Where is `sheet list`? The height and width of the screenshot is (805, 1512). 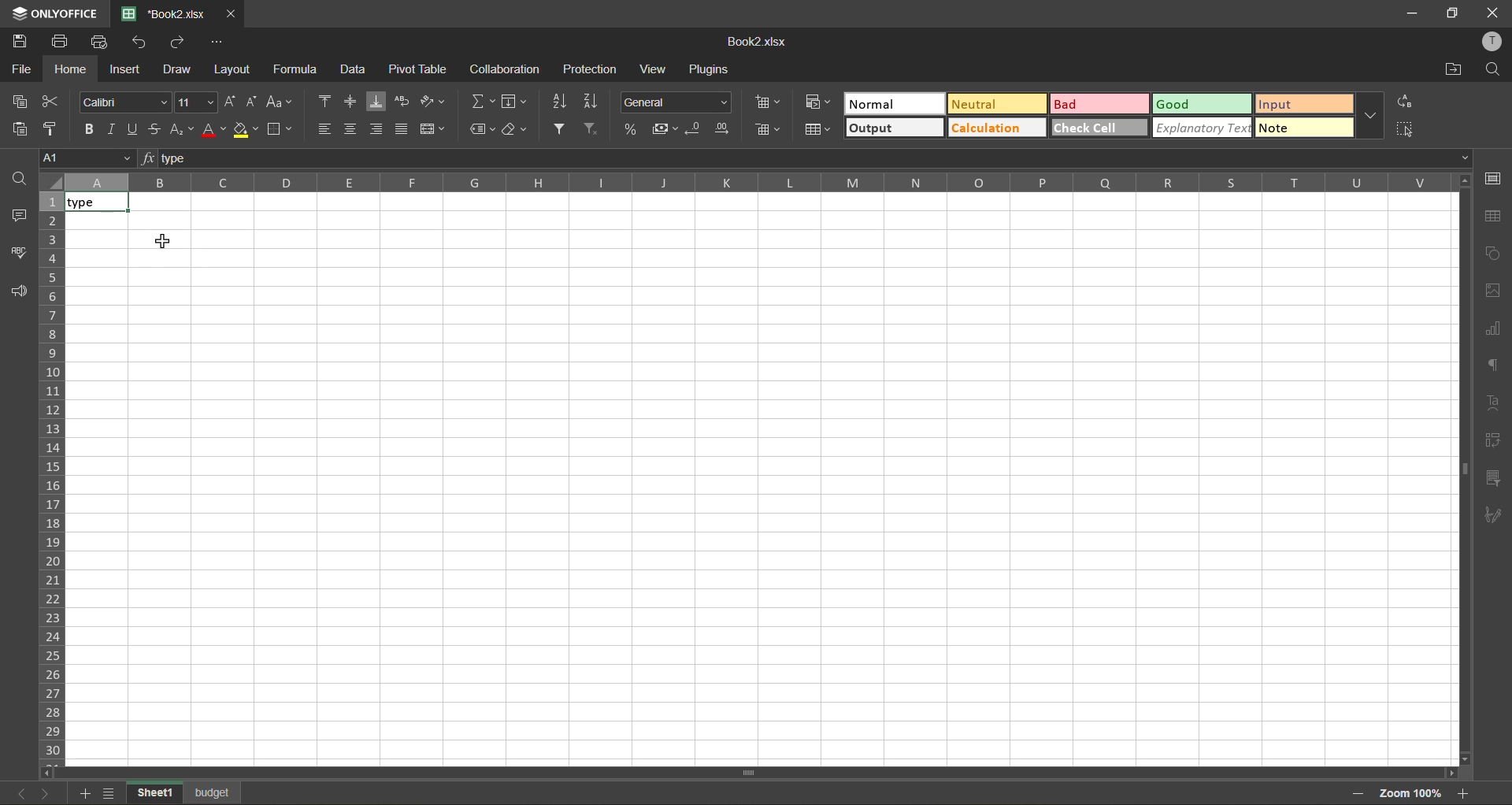
sheet list is located at coordinates (109, 792).